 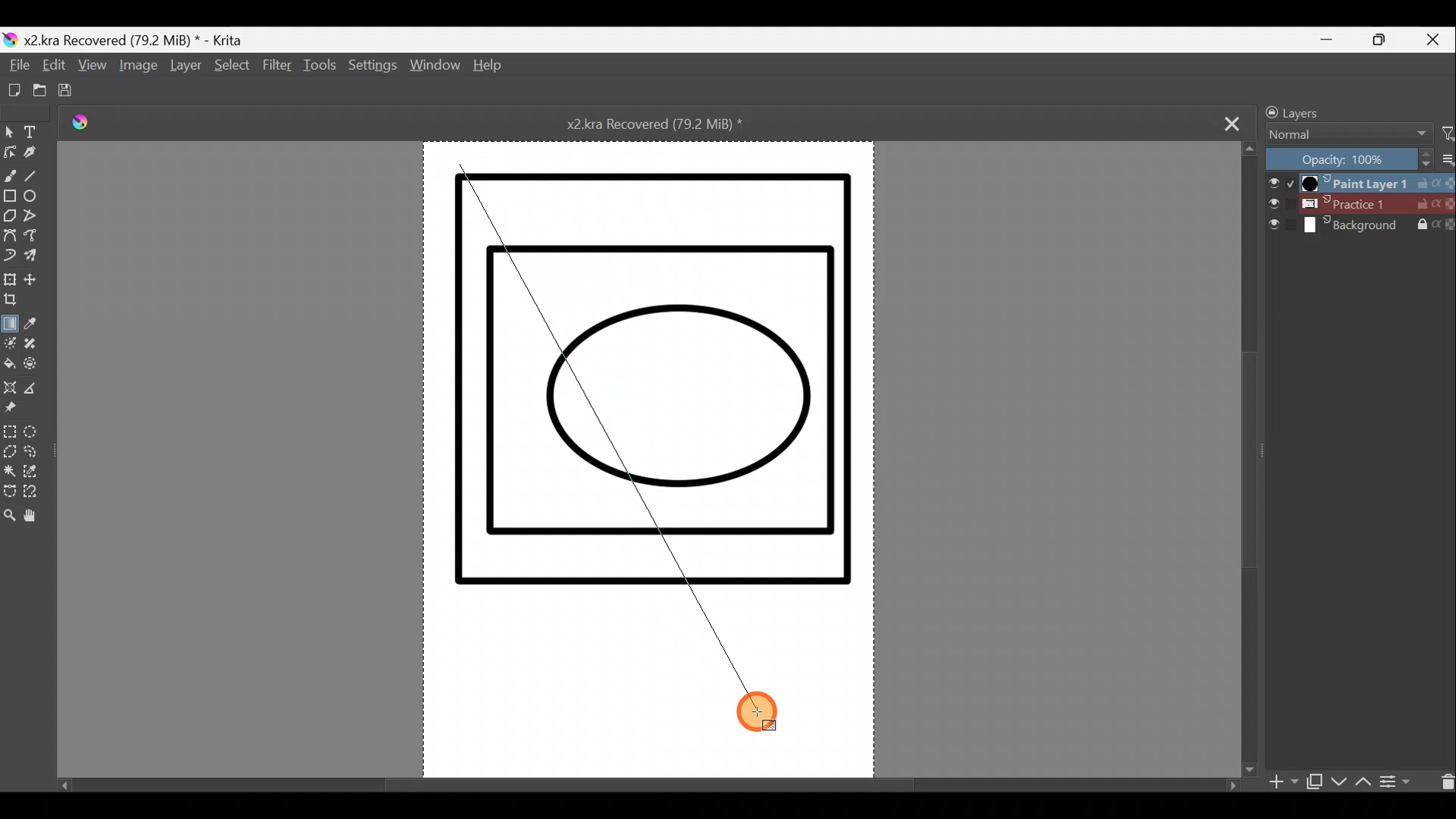 I want to click on View/change layer properties, so click(x=1402, y=780).